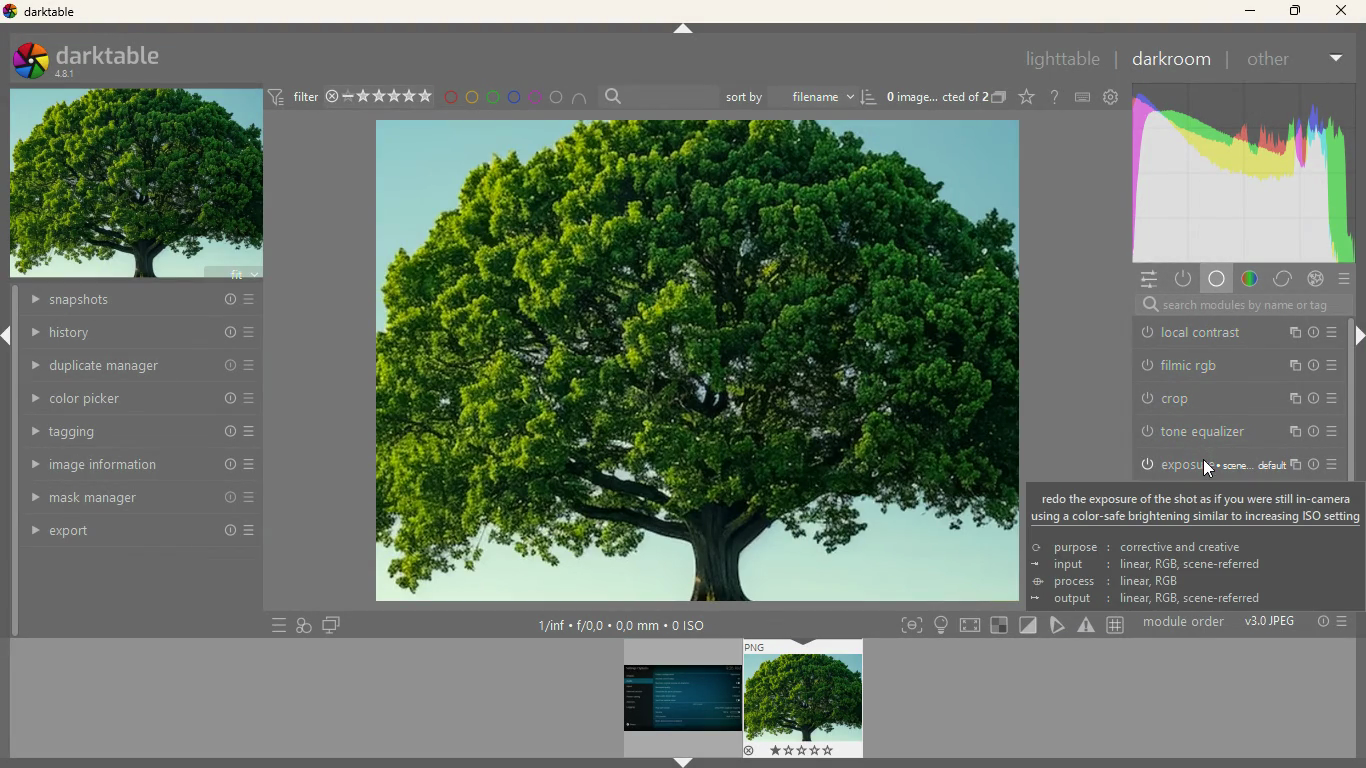 This screenshot has width=1366, height=768. Describe the element at coordinates (1333, 396) in the screenshot. I see `change` at that location.